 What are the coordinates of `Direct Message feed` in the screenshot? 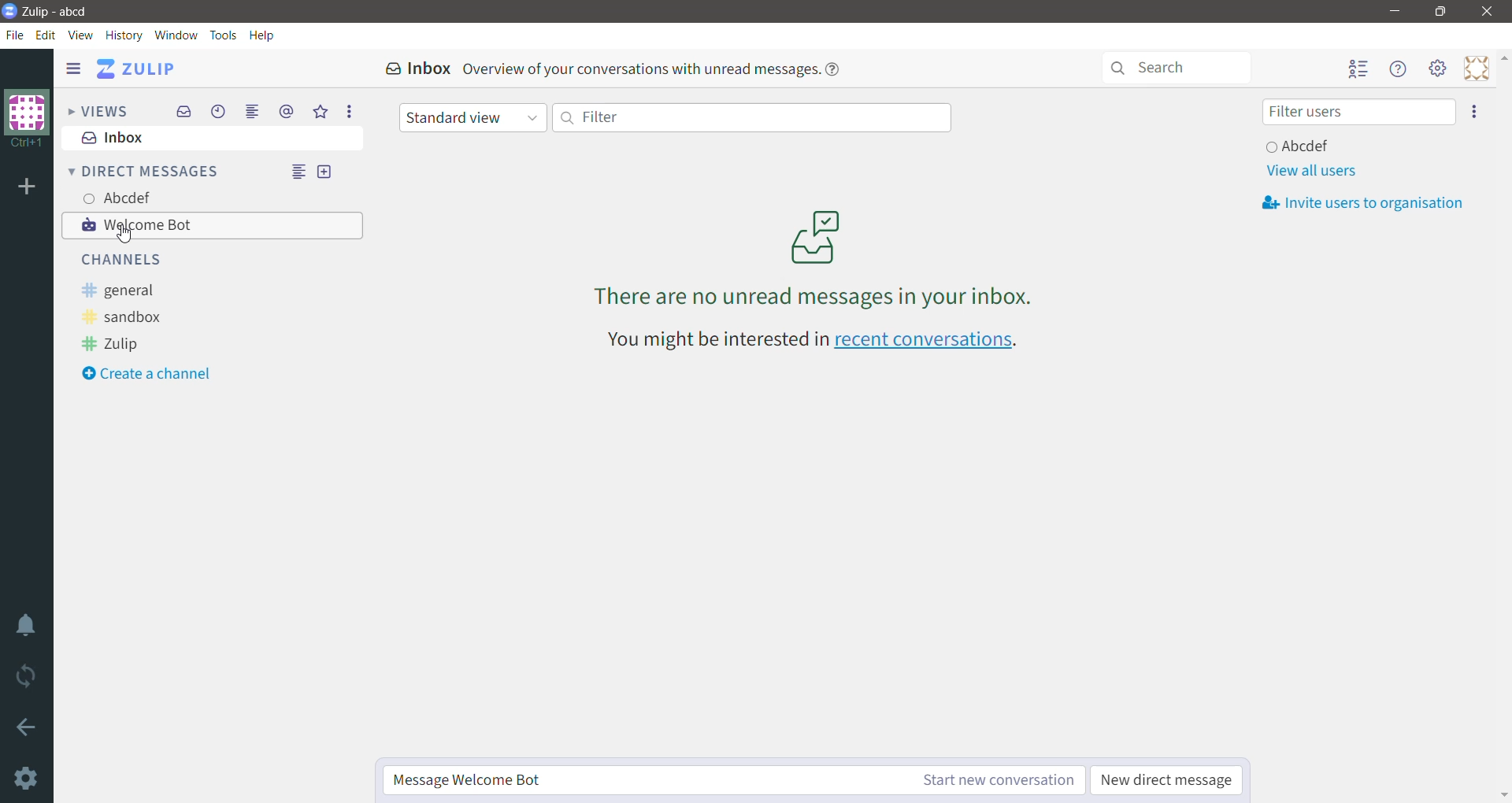 It's located at (296, 172).